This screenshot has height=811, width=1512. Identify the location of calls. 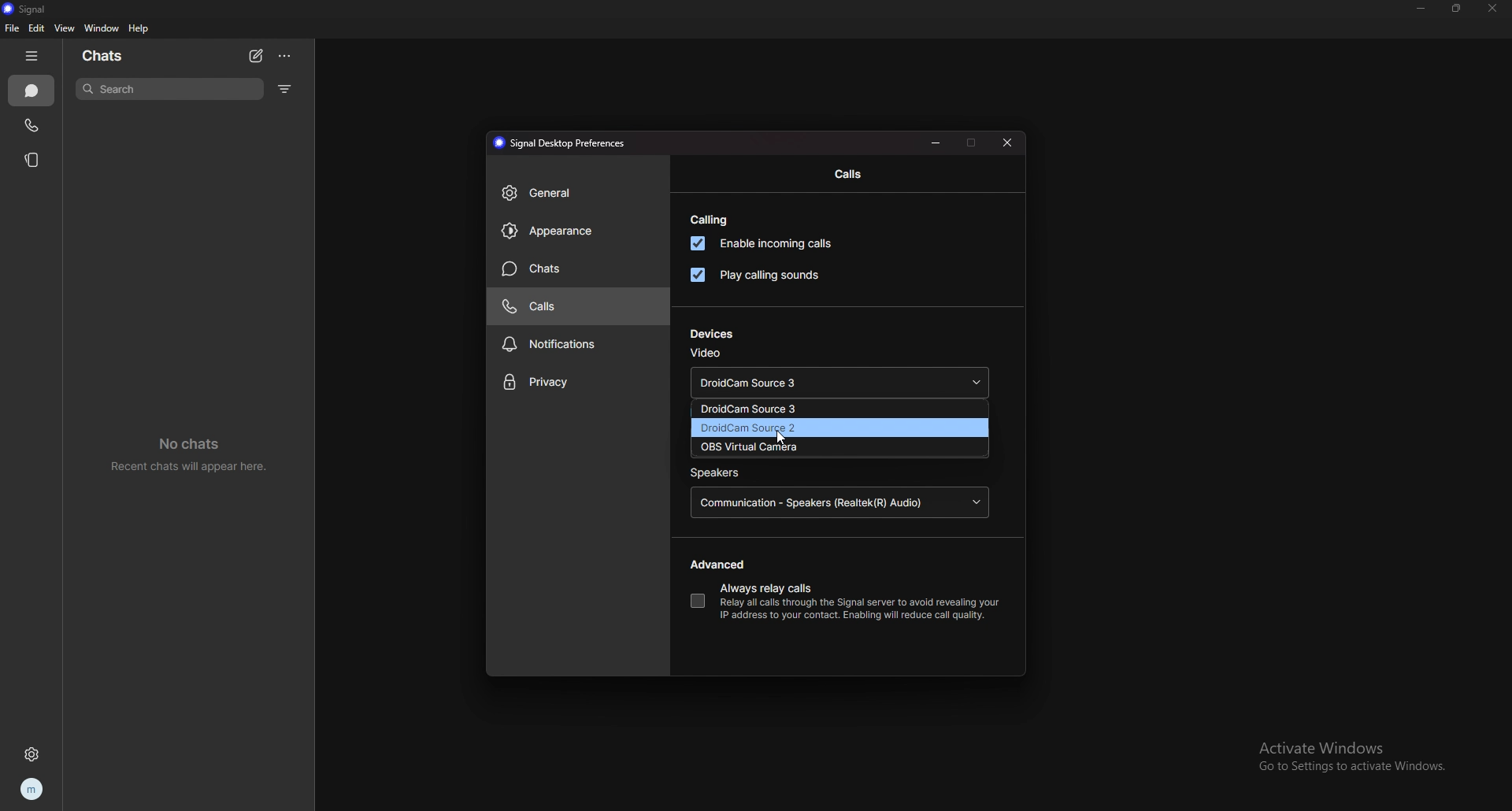
(576, 306).